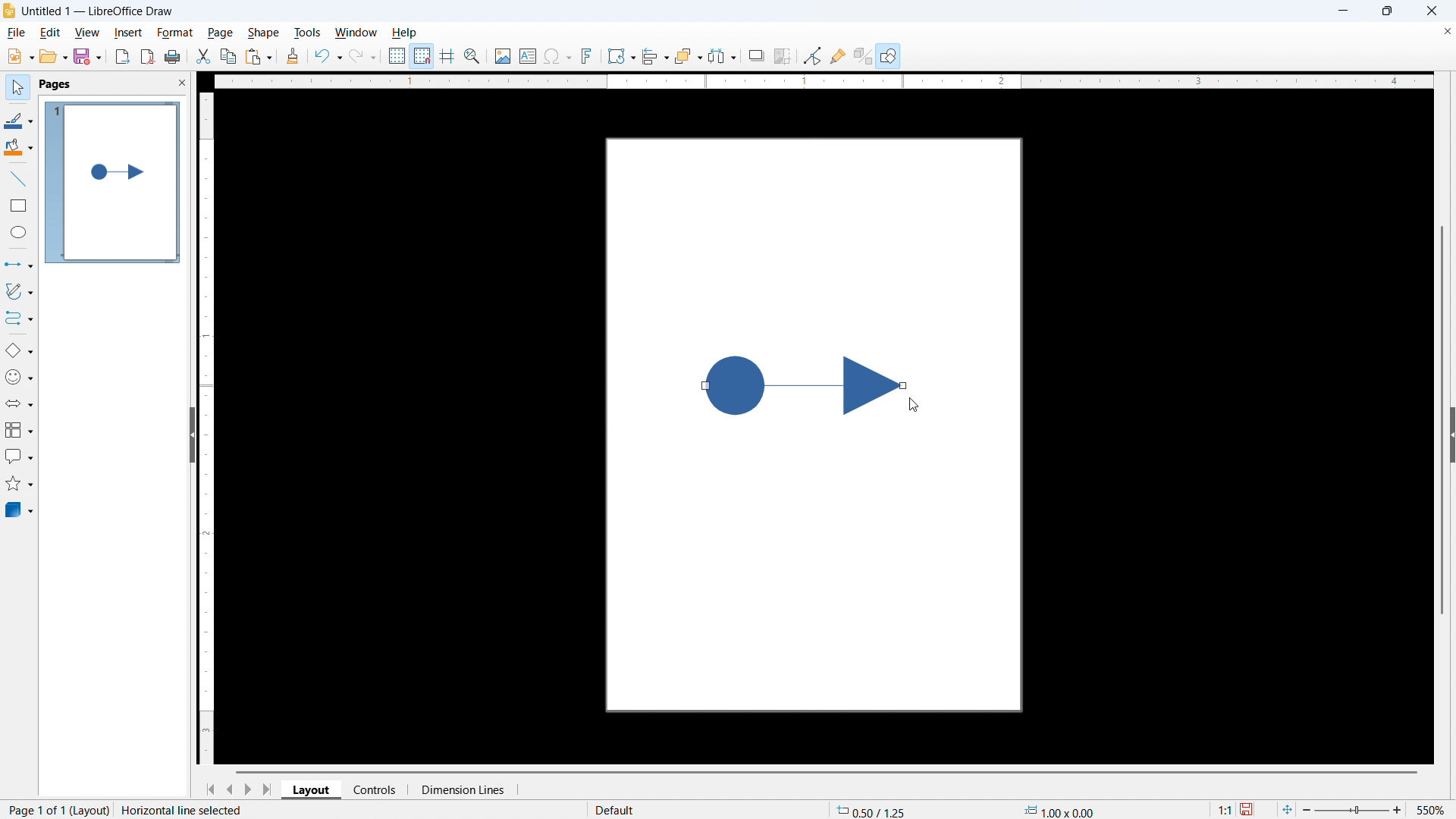 Image resolution: width=1456 pixels, height=819 pixels. What do you see at coordinates (871, 809) in the screenshot?
I see `Cursor coordinates (0.50/1.25)` at bounding box center [871, 809].